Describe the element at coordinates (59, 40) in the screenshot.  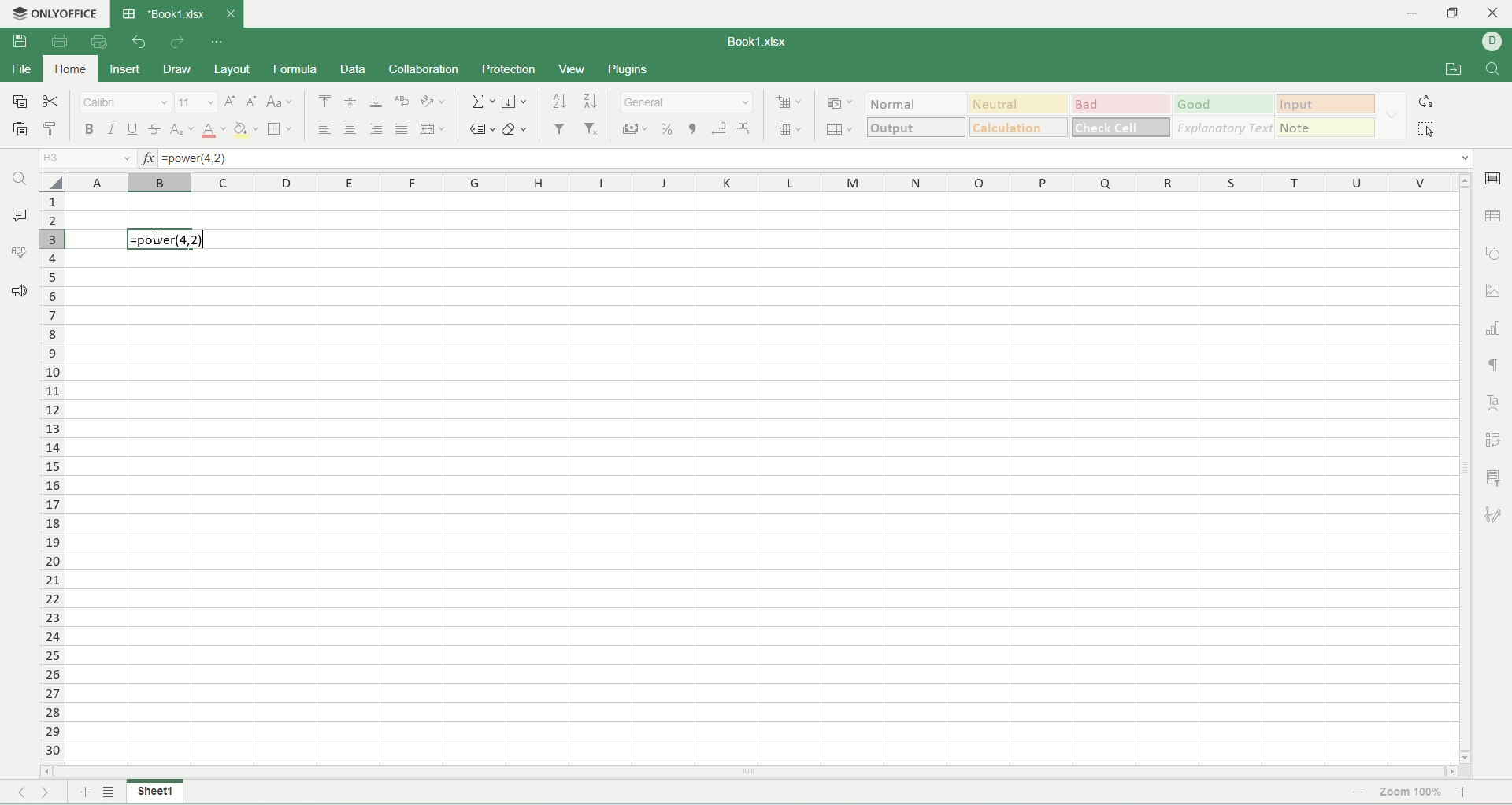
I see `print` at that location.